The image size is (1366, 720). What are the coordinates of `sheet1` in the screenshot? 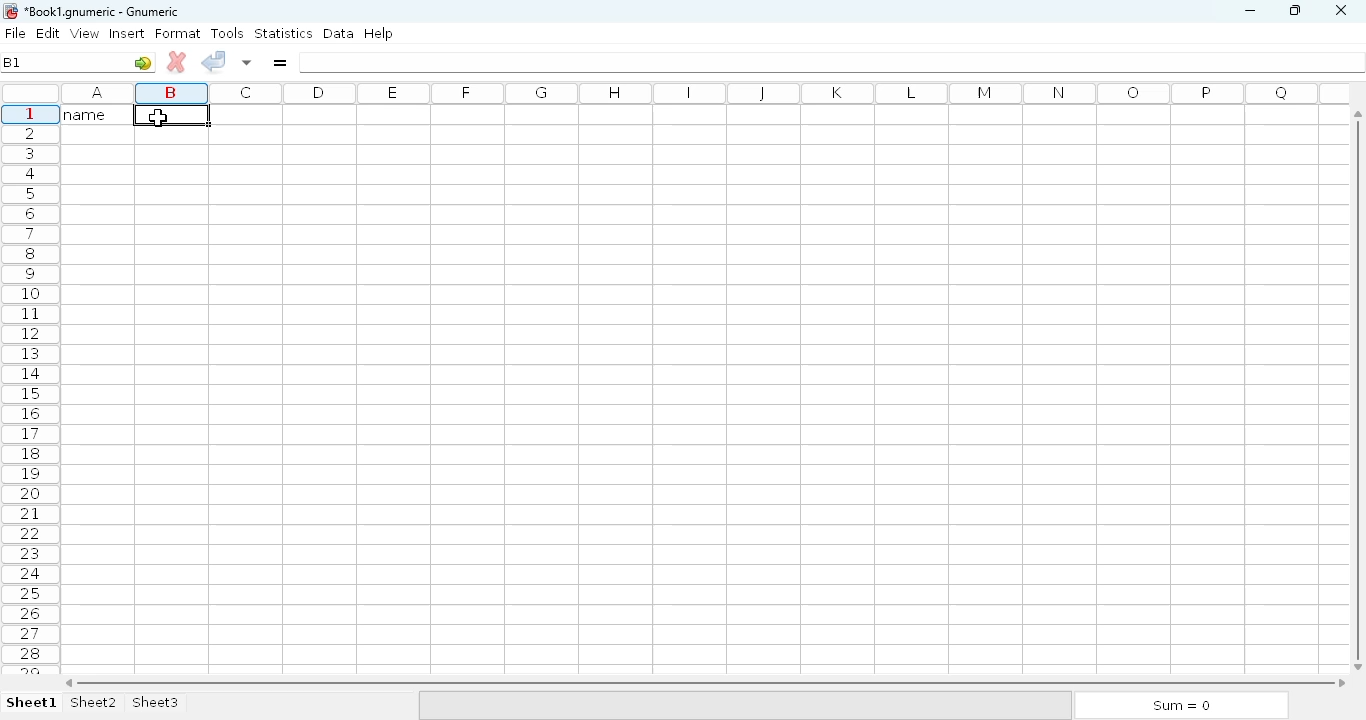 It's located at (32, 703).